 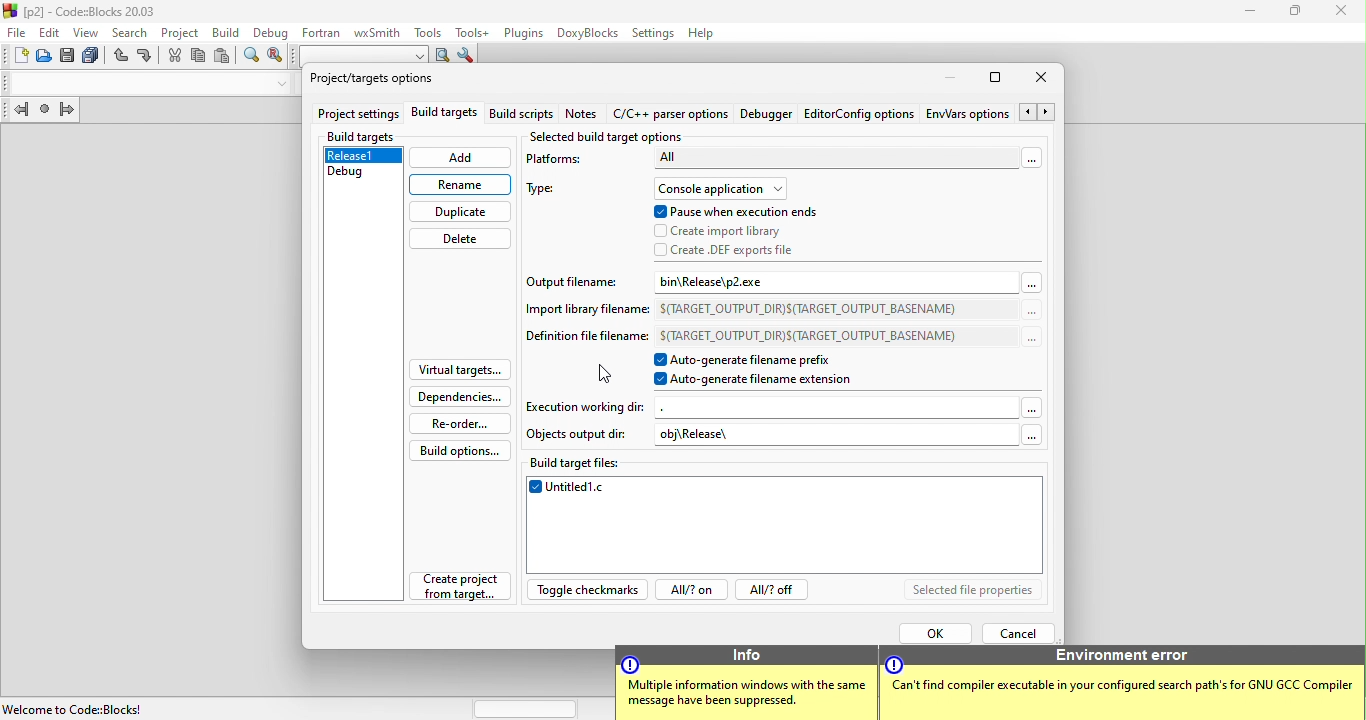 What do you see at coordinates (446, 115) in the screenshot?
I see `build targets` at bounding box center [446, 115].